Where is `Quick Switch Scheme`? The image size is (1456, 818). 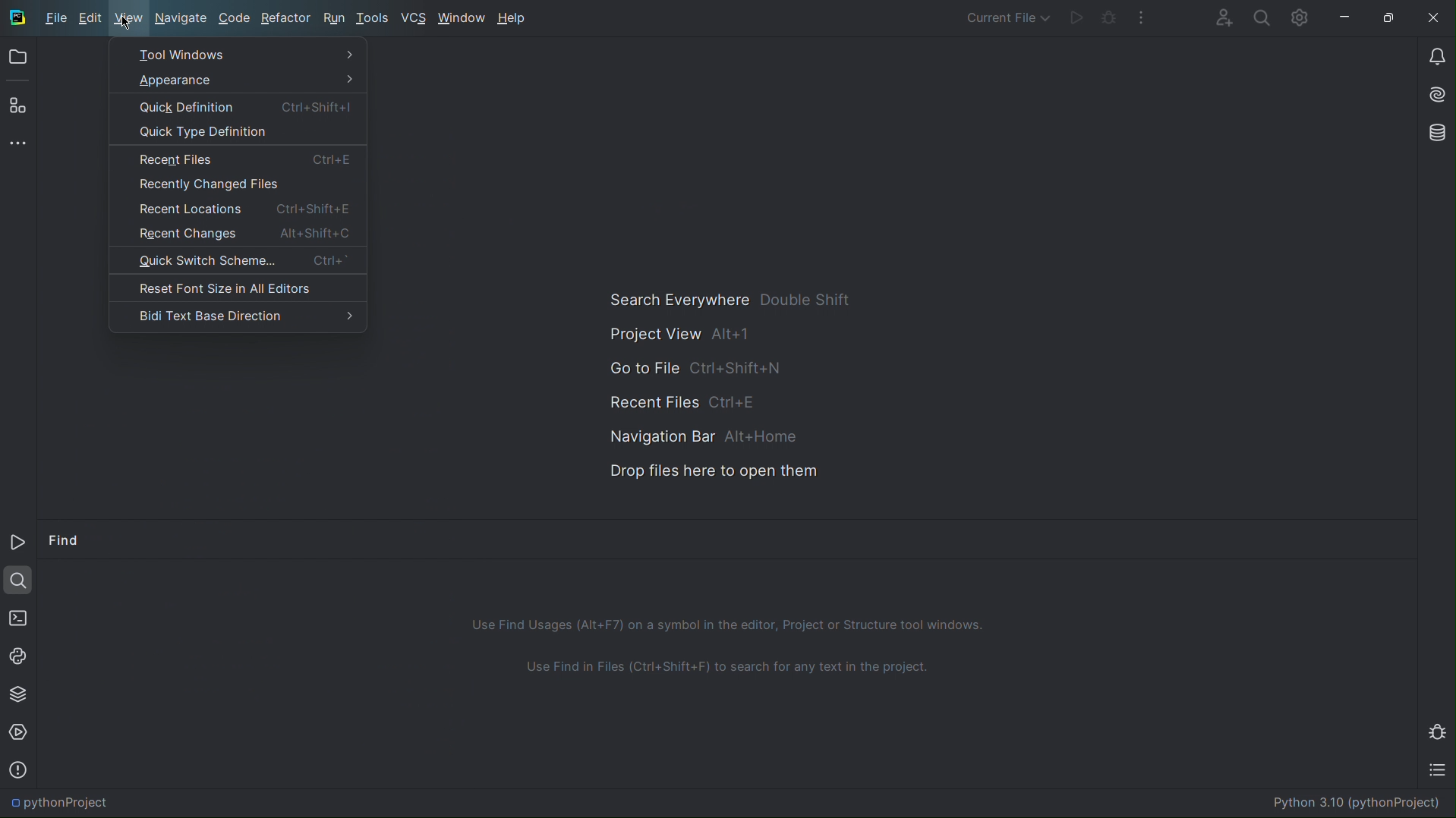
Quick Switch Scheme is located at coordinates (237, 263).